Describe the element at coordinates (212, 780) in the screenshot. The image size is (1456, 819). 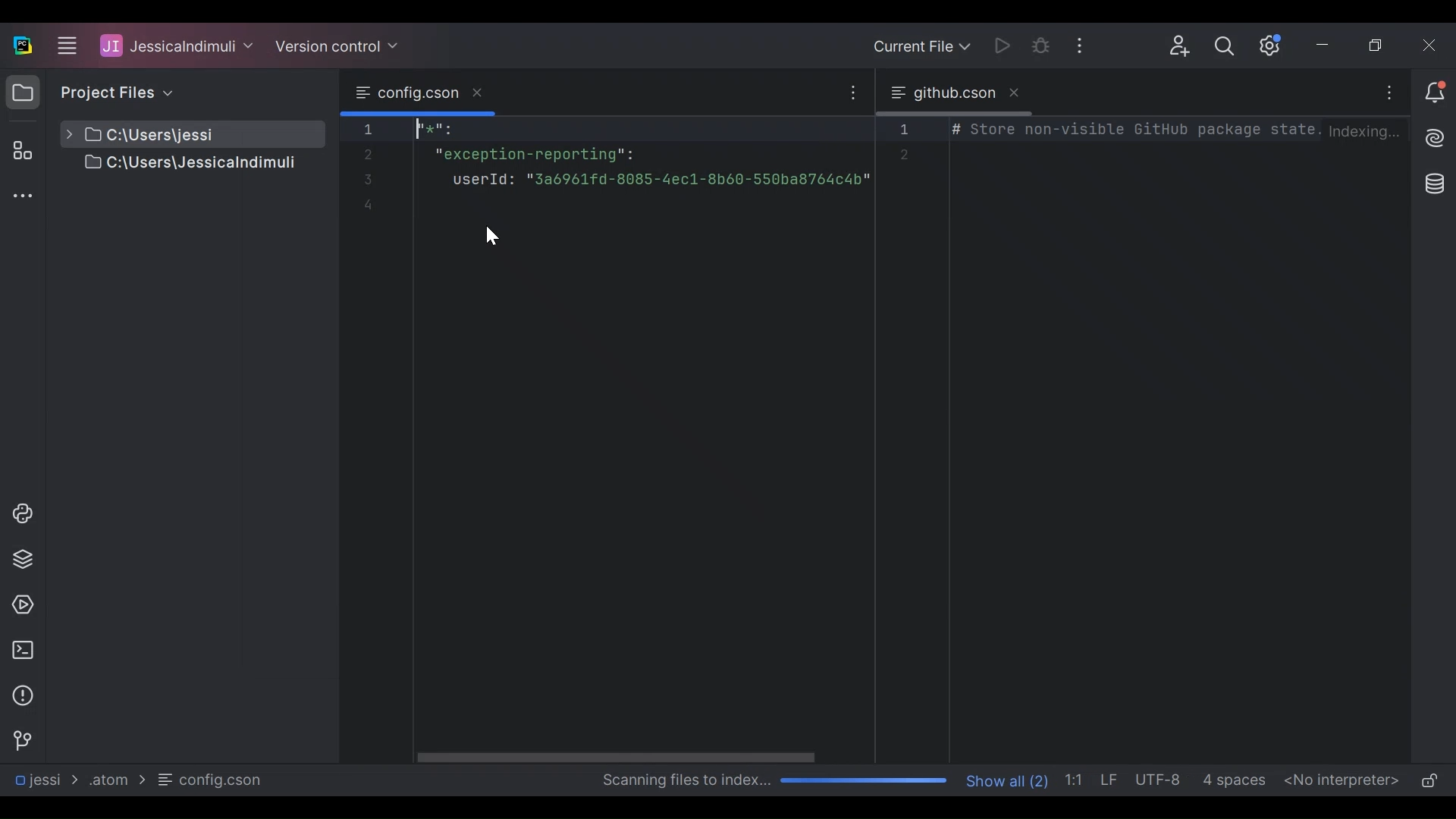
I see `File` at that location.